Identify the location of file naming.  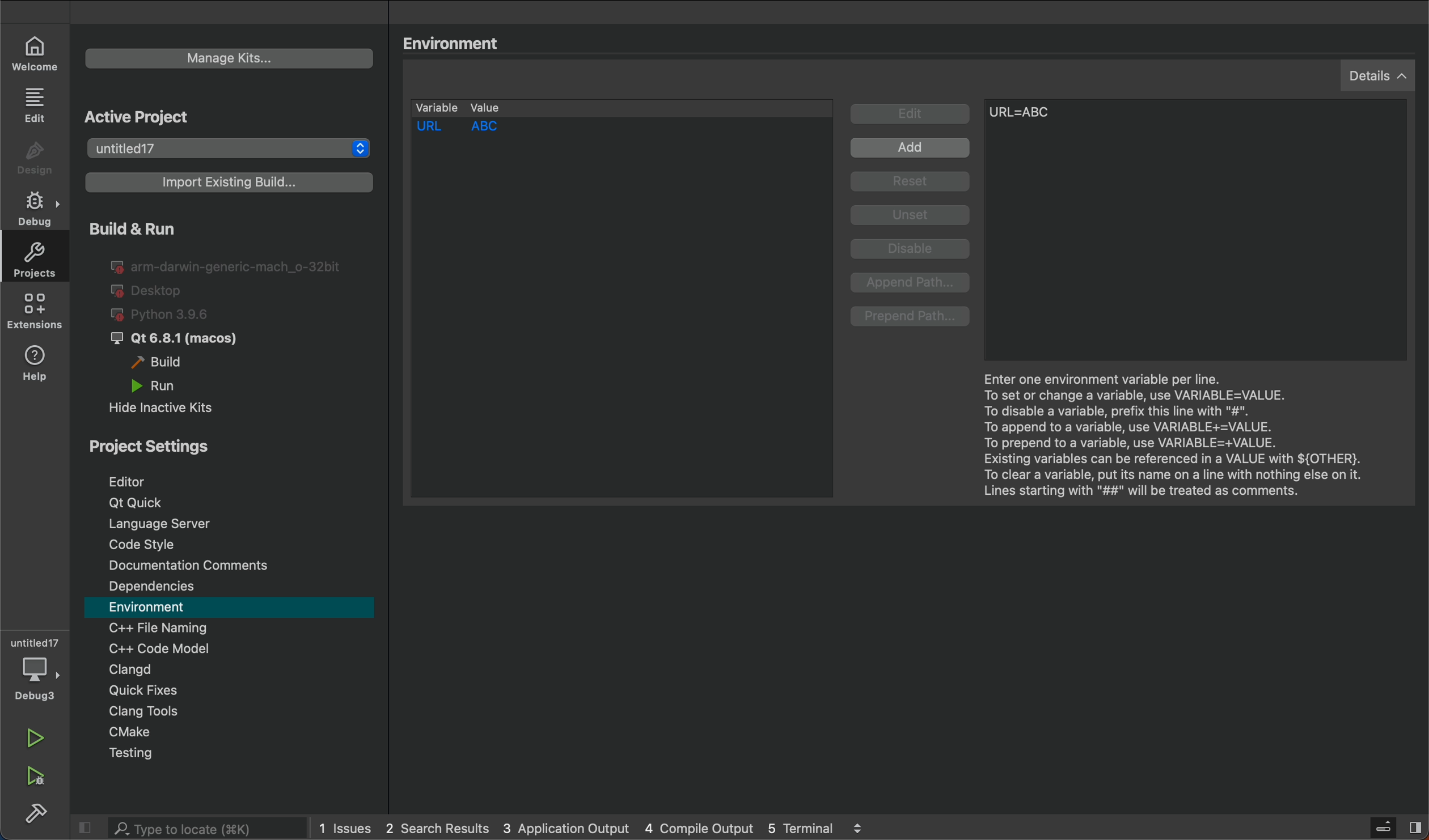
(232, 628).